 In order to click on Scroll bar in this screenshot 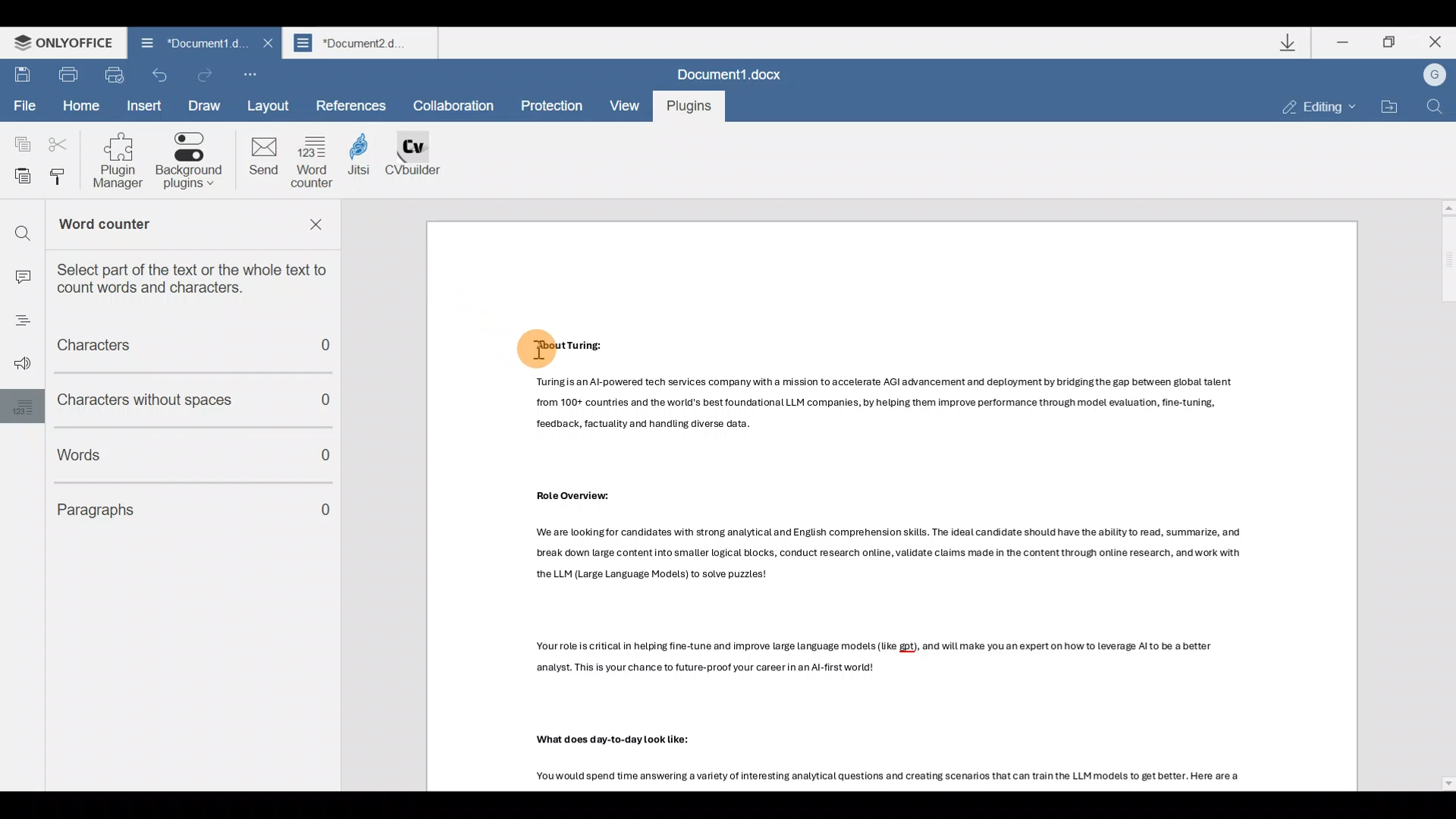, I will do `click(1442, 494)`.